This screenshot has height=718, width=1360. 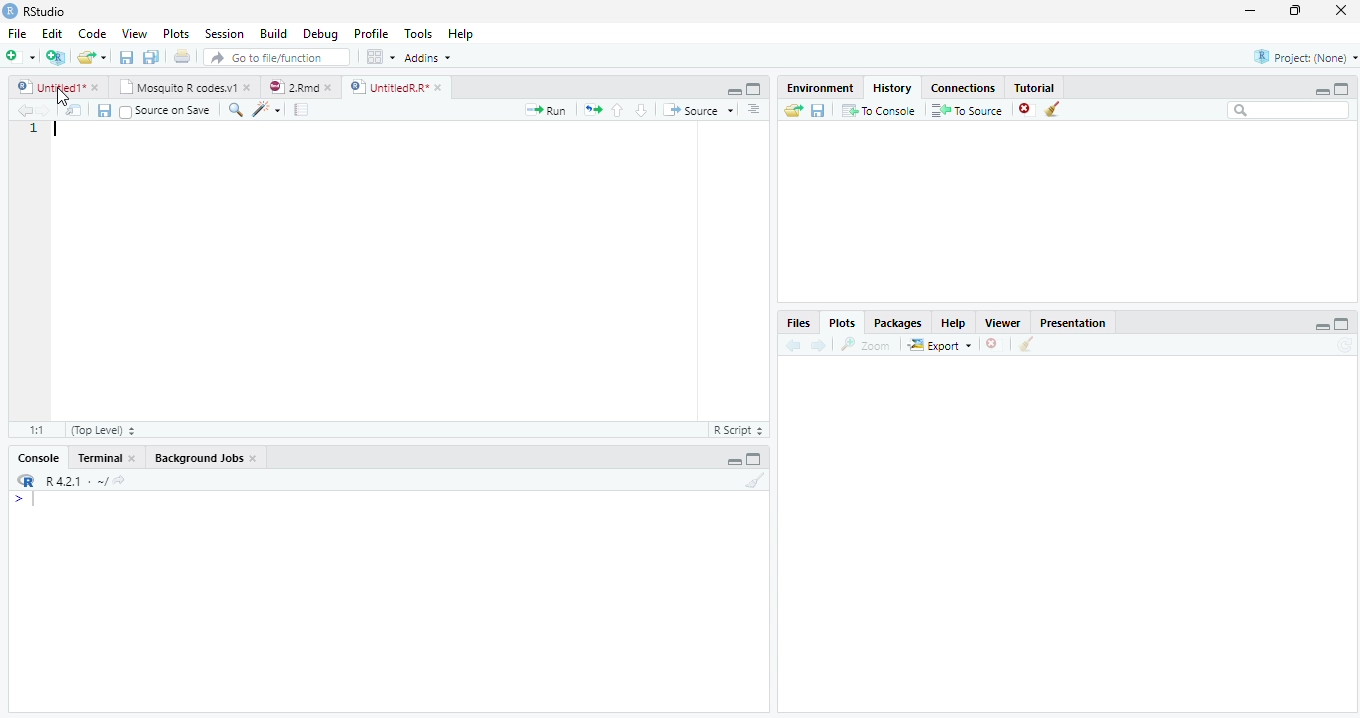 What do you see at coordinates (378, 57) in the screenshot?
I see `Workspace panes` at bounding box center [378, 57].